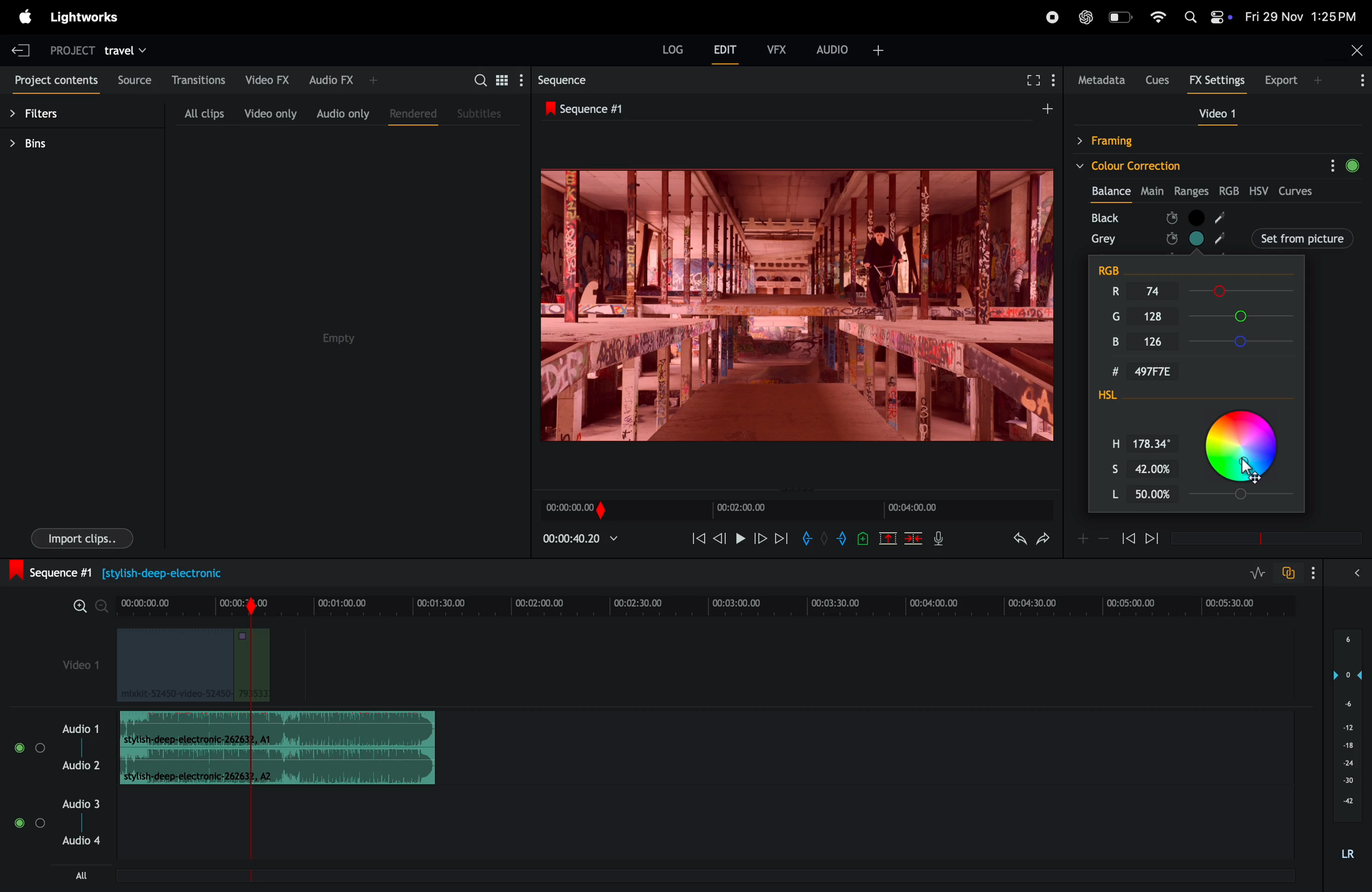 Image resolution: width=1372 pixels, height=892 pixels. I want to click on show settings menu, so click(1311, 571).